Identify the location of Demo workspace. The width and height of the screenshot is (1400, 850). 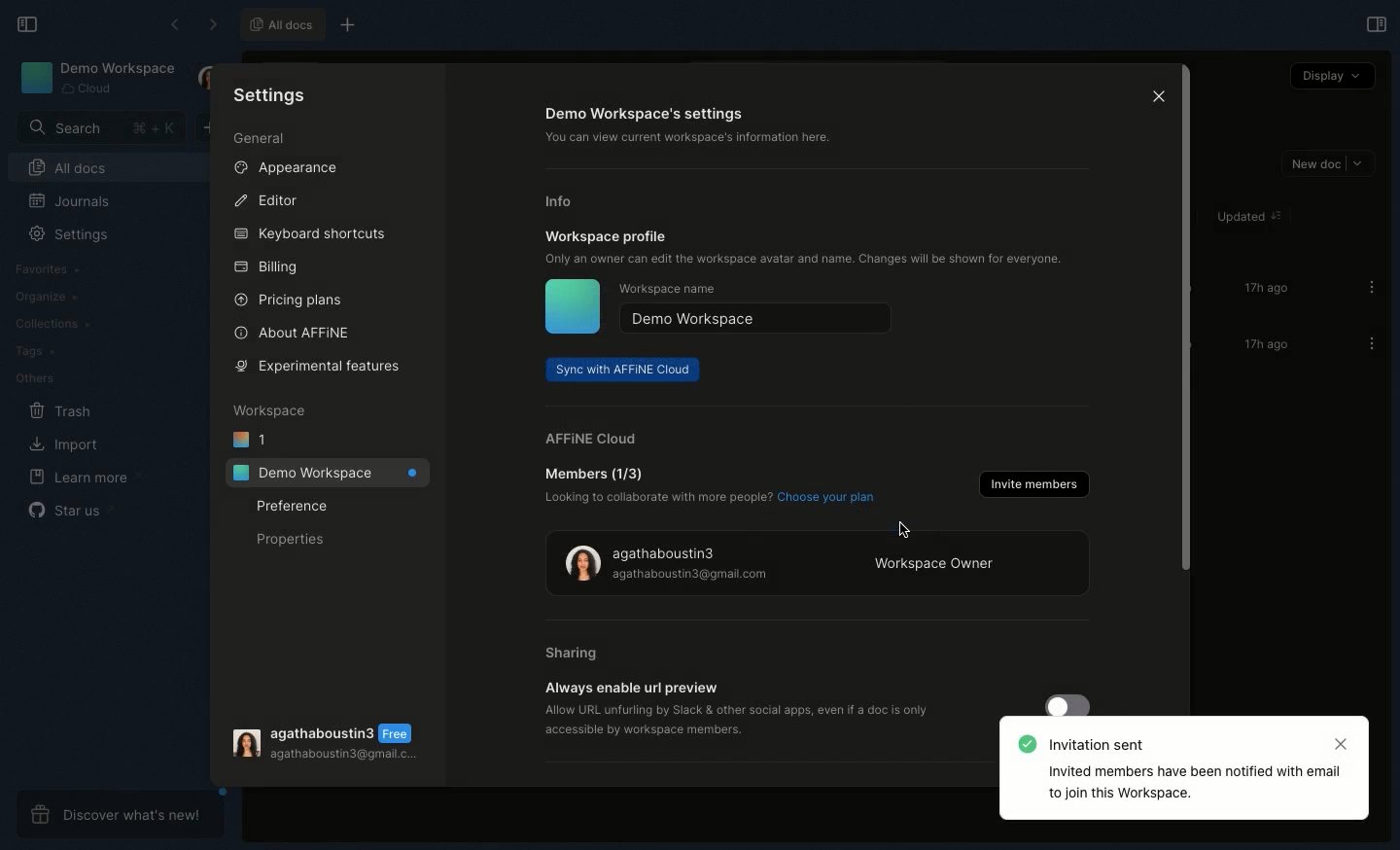
(754, 319).